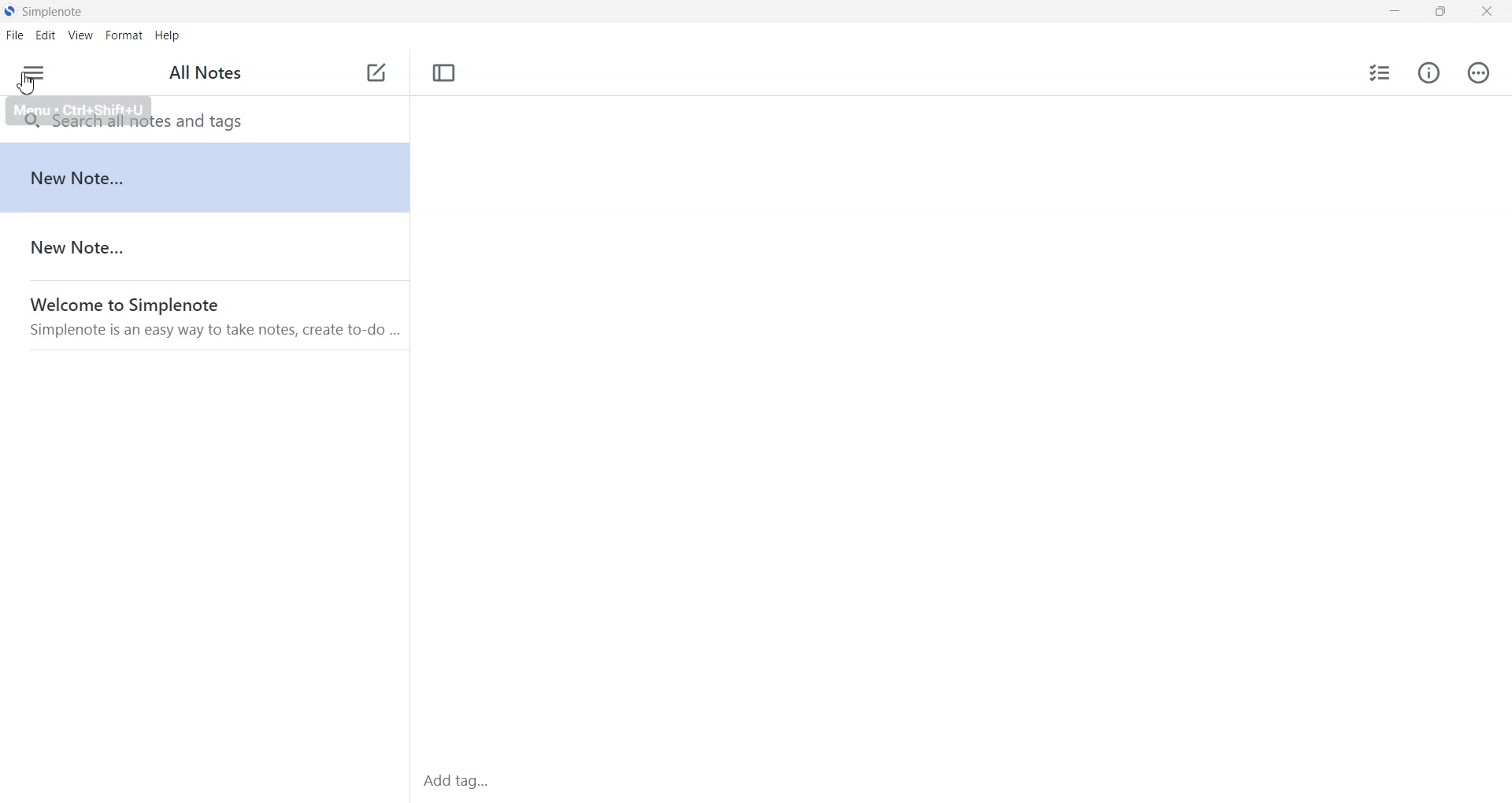  I want to click on Note, so click(205, 248).